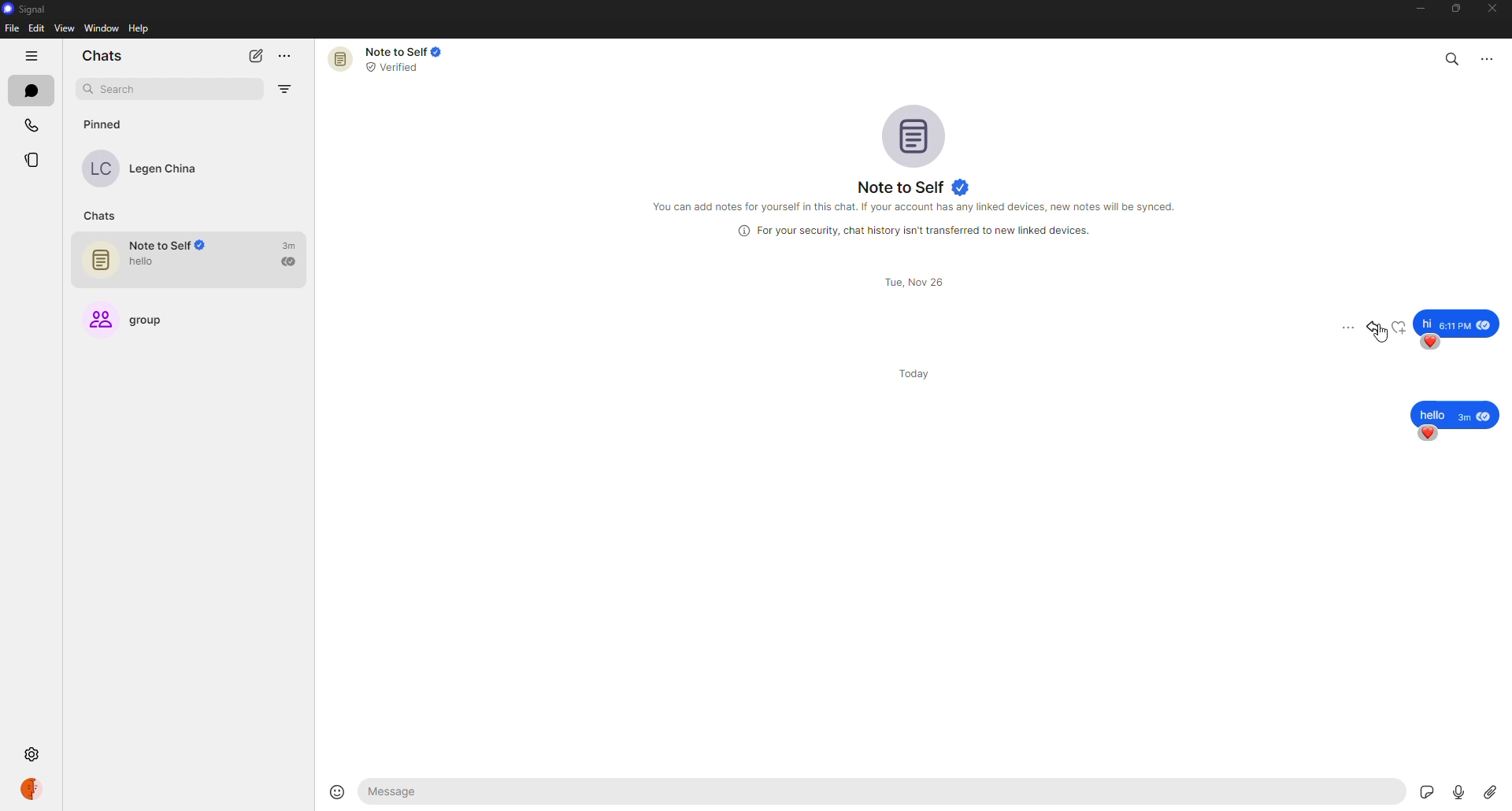 The height and width of the screenshot is (811, 1512). What do you see at coordinates (1454, 791) in the screenshot?
I see `record` at bounding box center [1454, 791].